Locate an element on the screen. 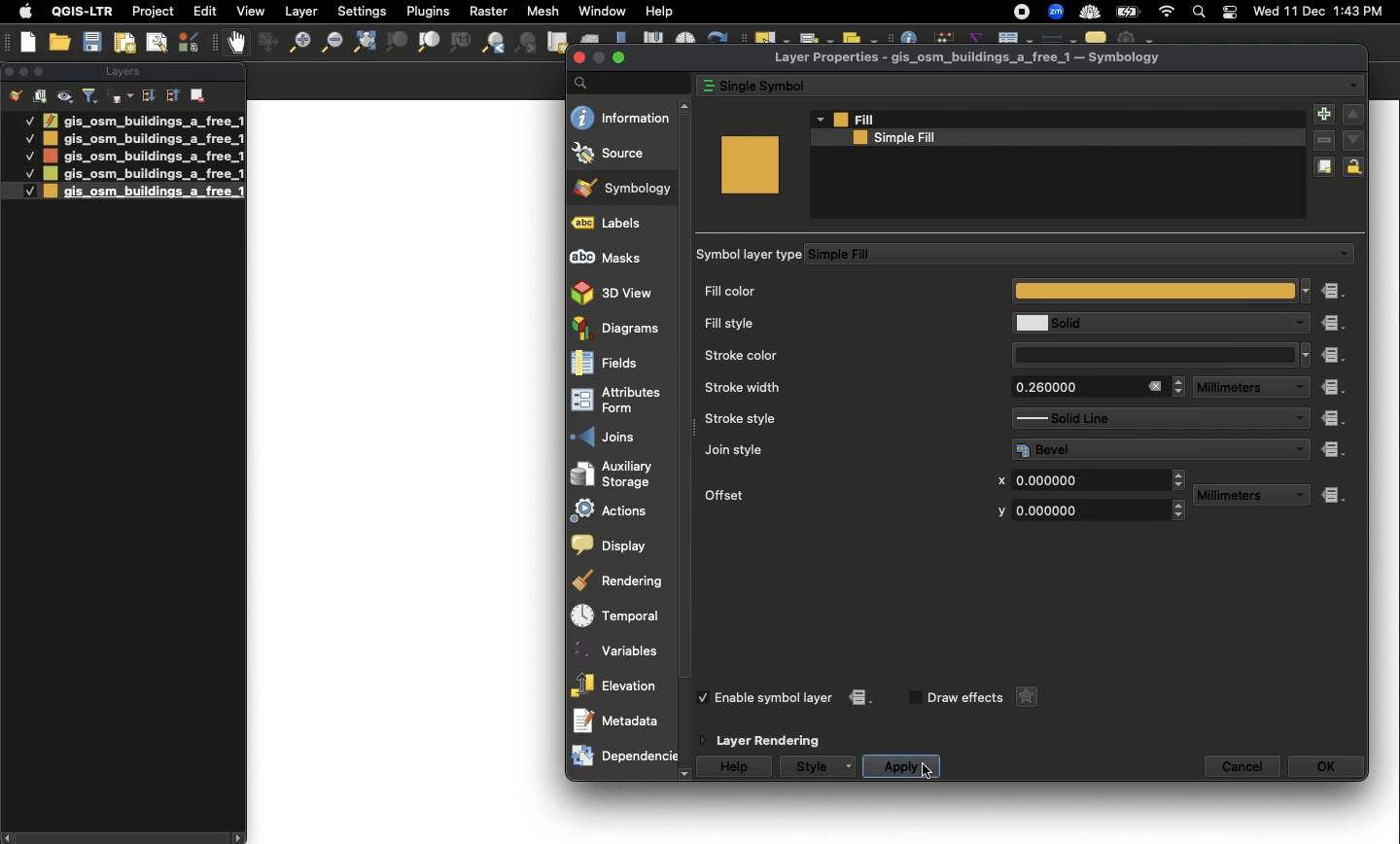 This screenshot has width=1400, height=844. Single symbol is located at coordinates (1009, 84).